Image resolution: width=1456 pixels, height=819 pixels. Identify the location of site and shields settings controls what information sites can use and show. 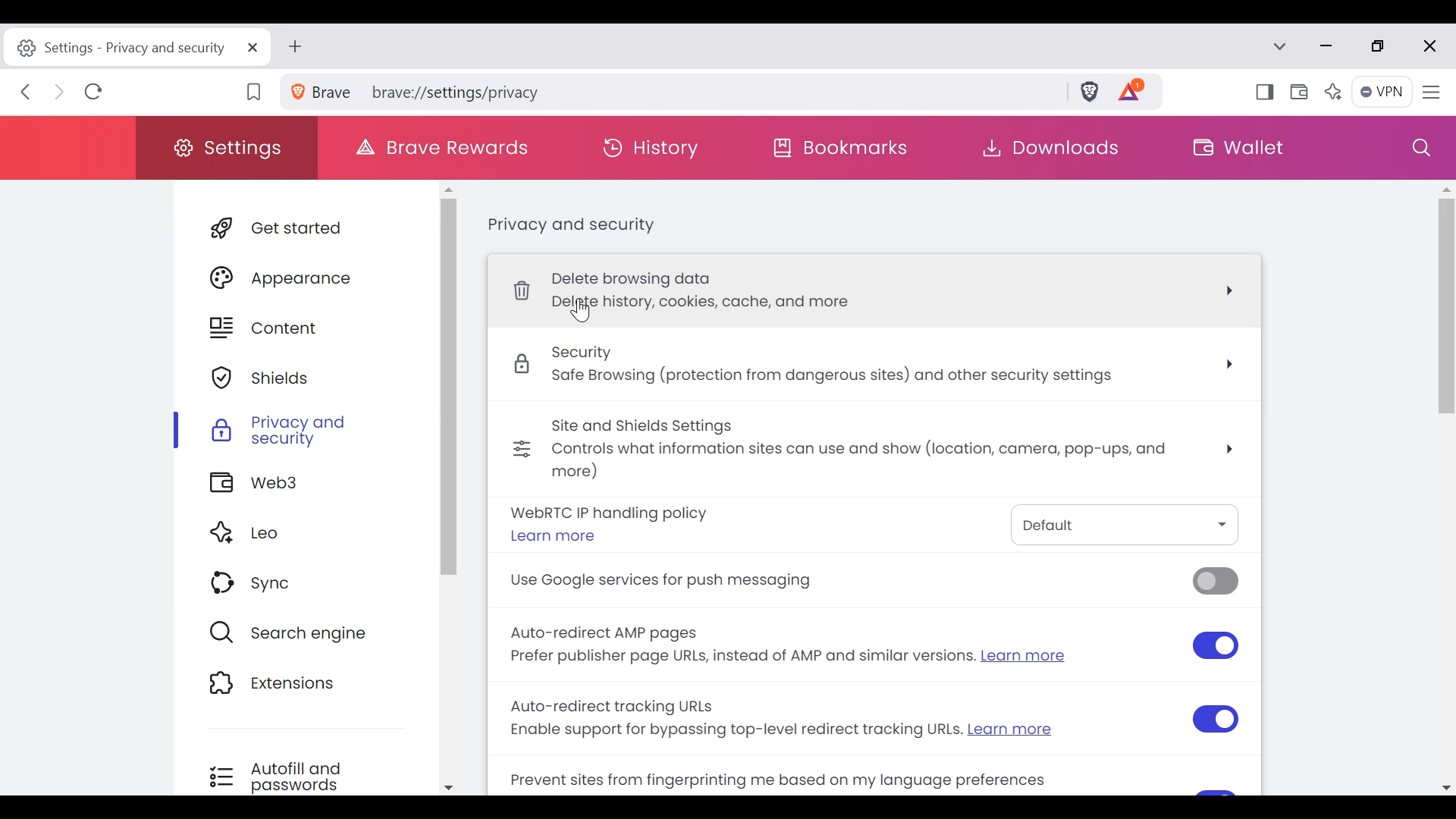
(874, 450).